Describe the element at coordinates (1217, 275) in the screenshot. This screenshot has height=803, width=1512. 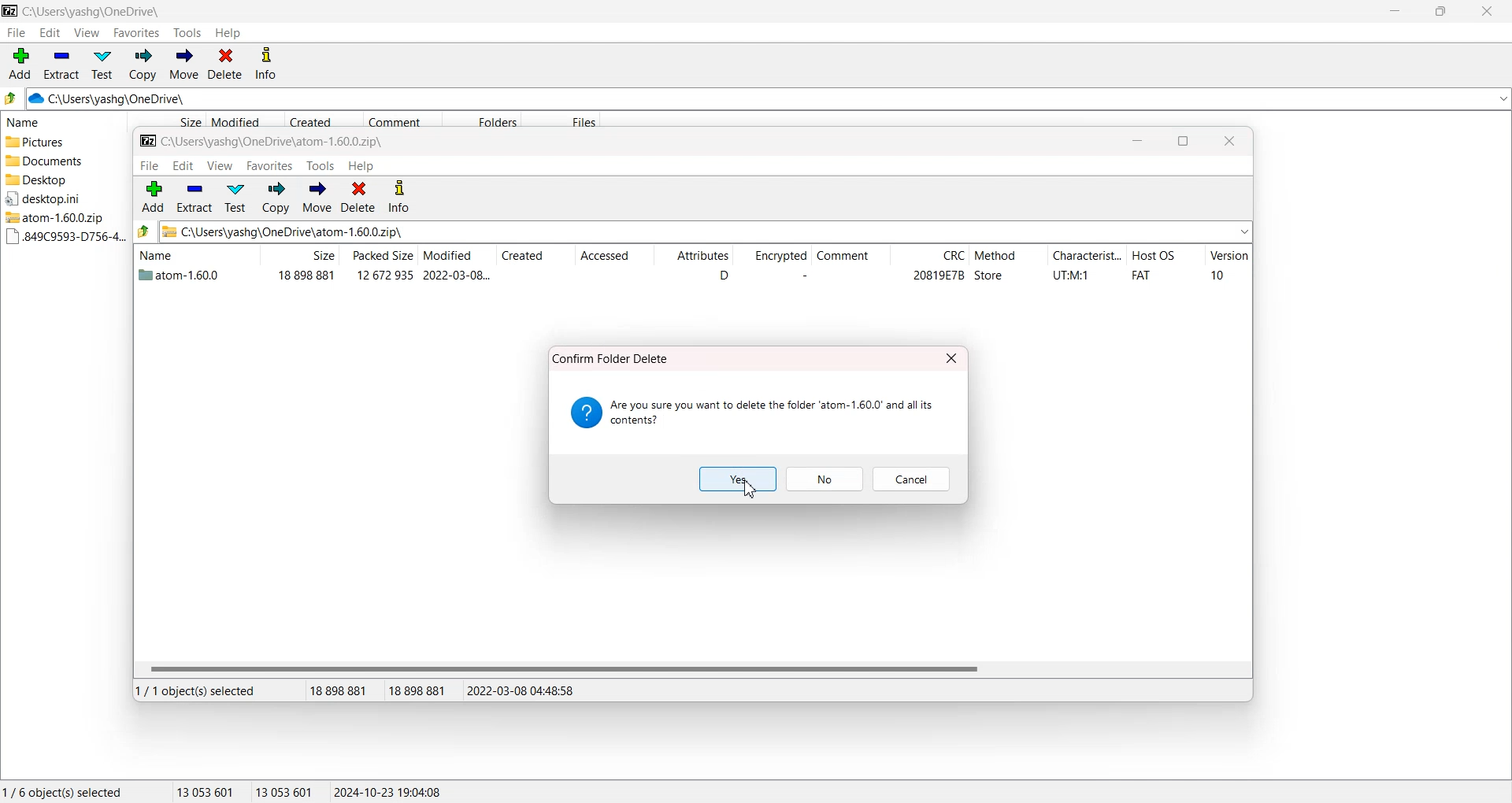
I see `10` at that location.